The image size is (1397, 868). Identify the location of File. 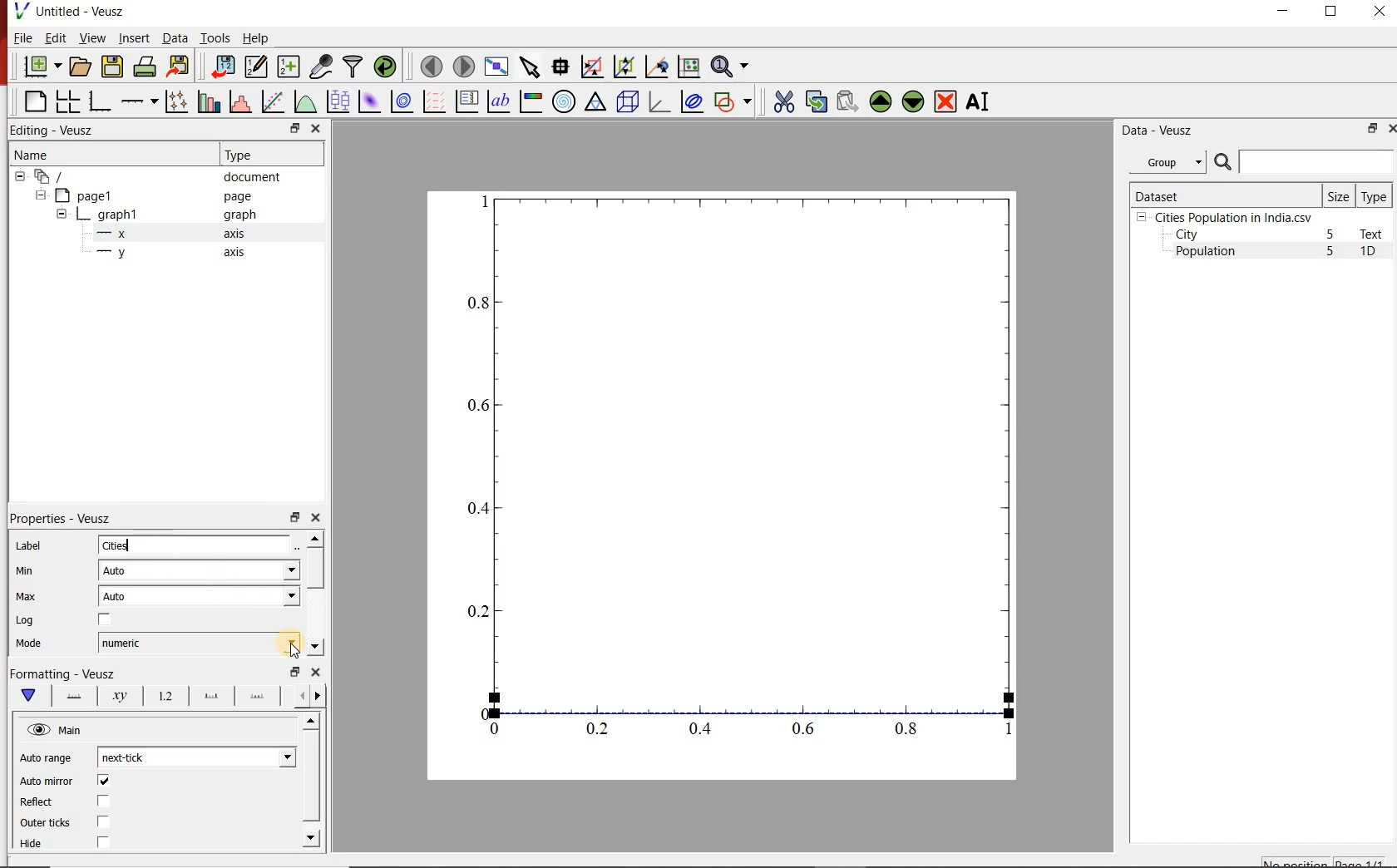
(23, 37).